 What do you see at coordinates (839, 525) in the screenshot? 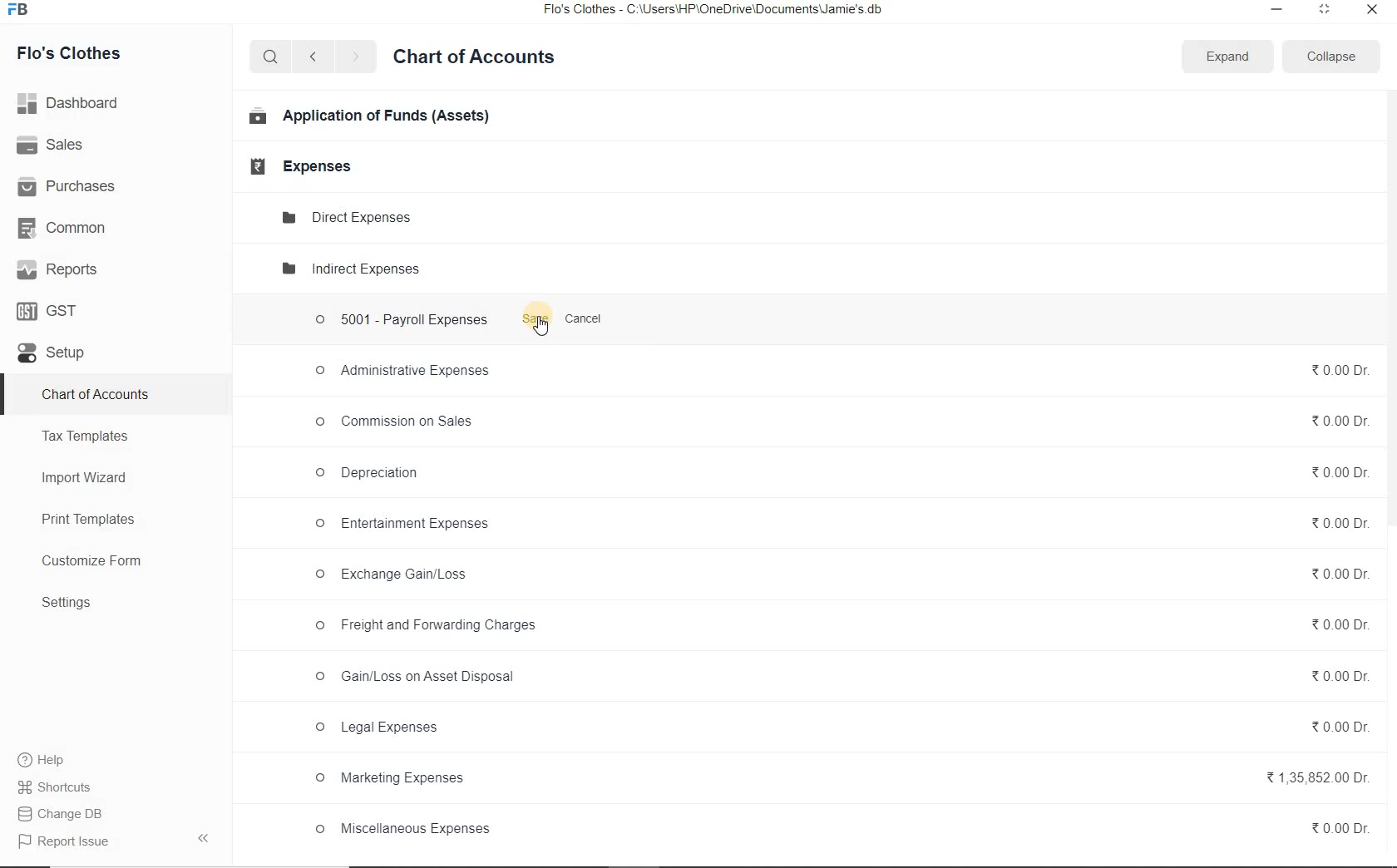
I see `O Entertainment Expenses %0.00Dr.` at bounding box center [839, 525].